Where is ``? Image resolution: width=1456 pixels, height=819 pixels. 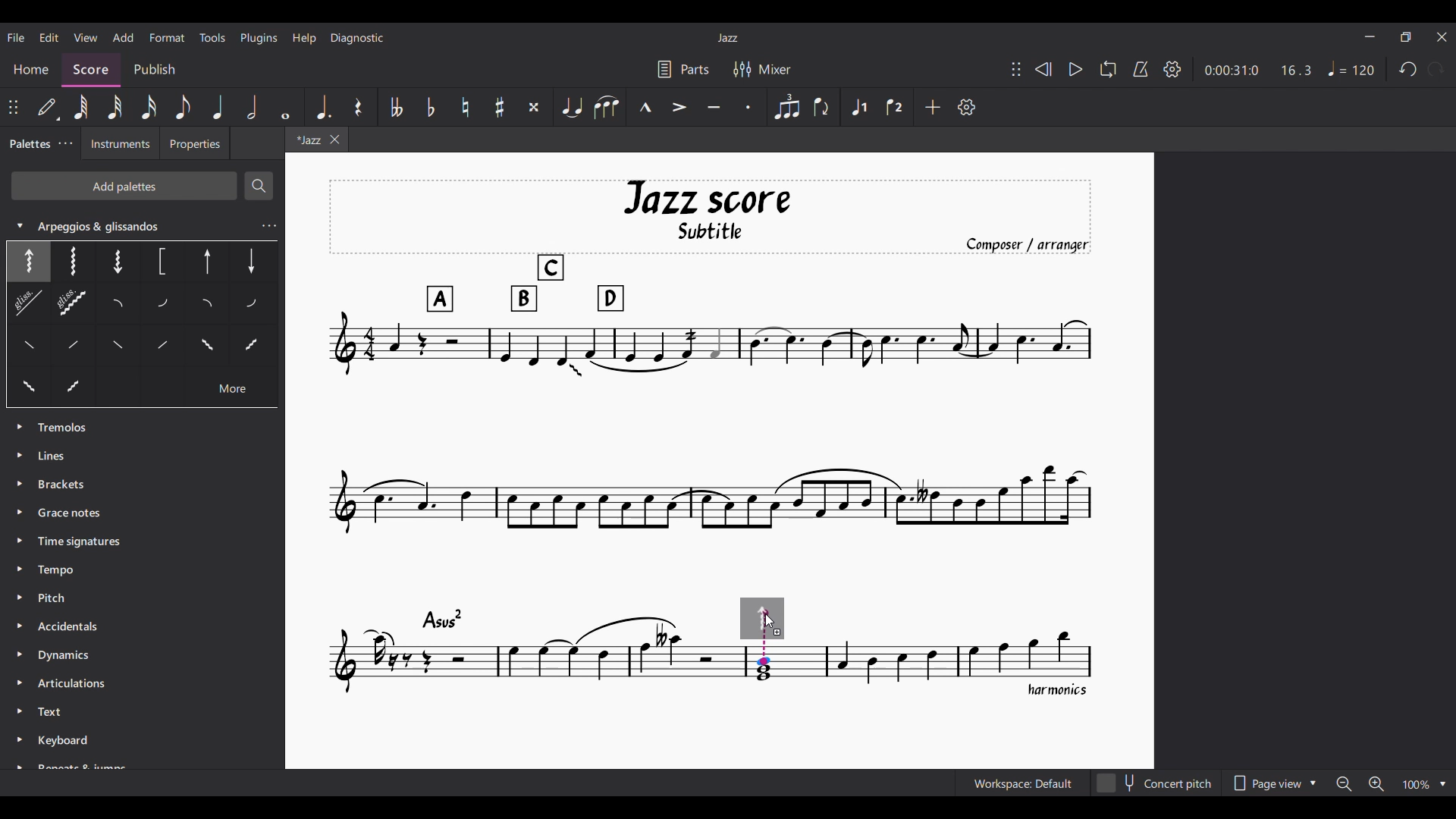  is located at coordinates (120, 262).